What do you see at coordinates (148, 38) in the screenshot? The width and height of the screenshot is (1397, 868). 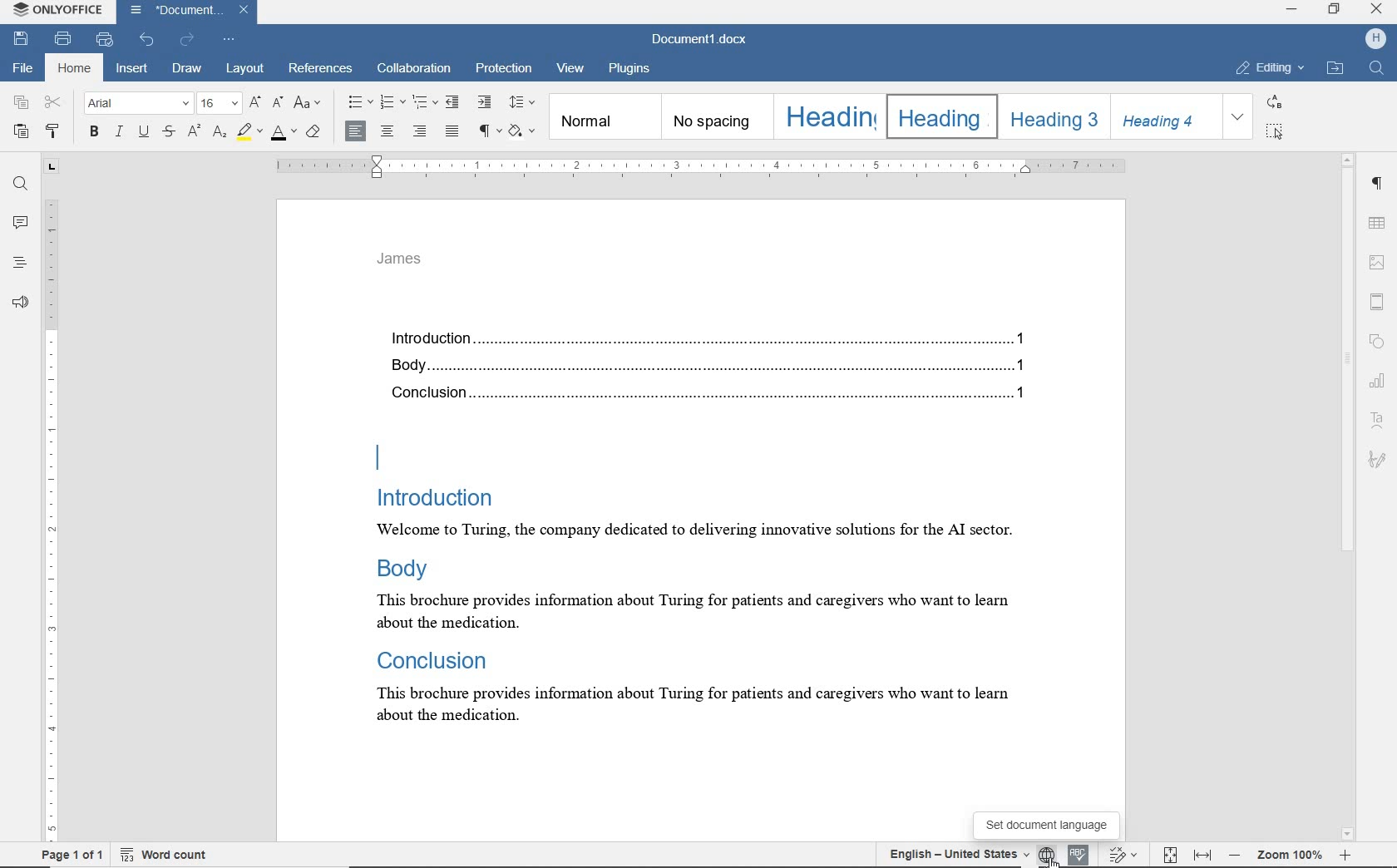 I see `undo` at bounding box center [148, 38].